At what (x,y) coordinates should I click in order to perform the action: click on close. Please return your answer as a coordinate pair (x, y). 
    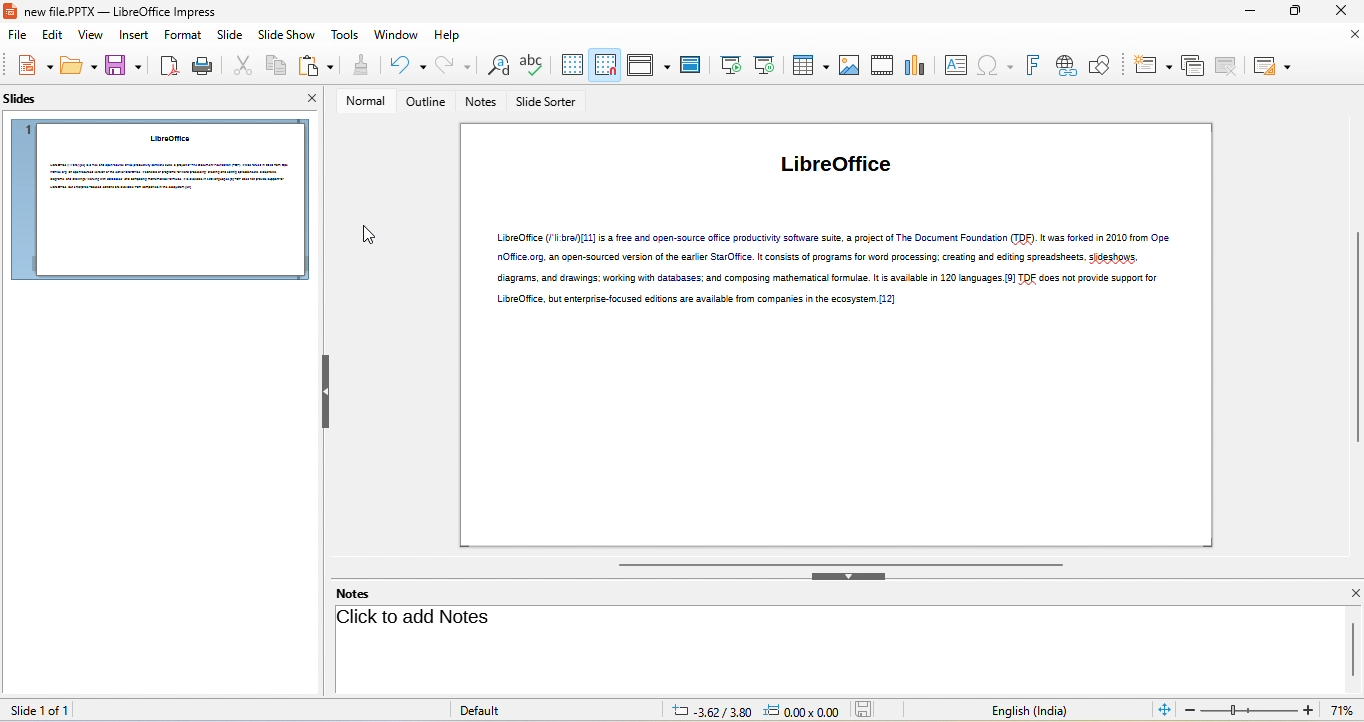
    Looking at the image, I should click on (1350, 593).